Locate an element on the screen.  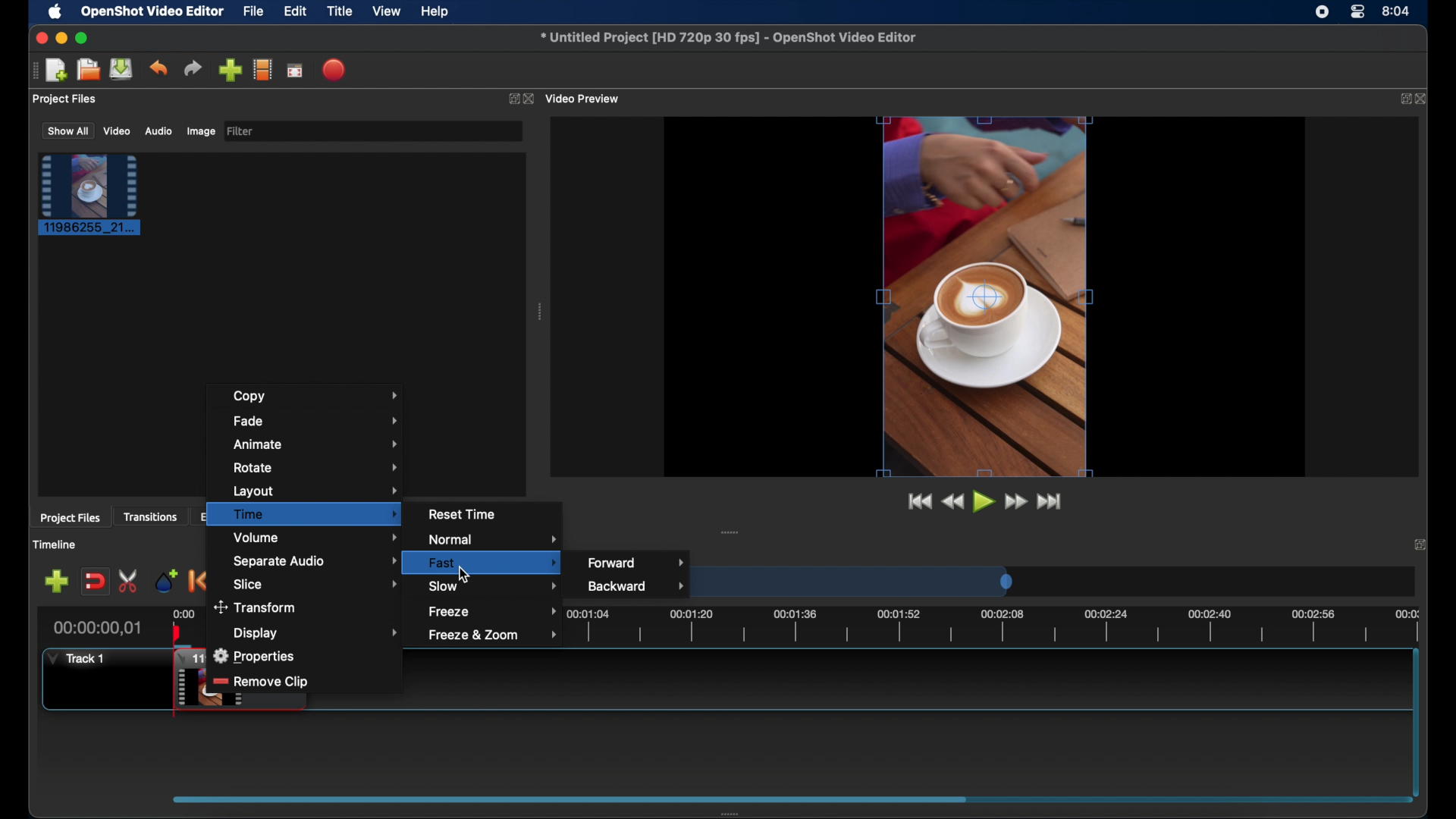
video preview is located at coordinates (986, 297).